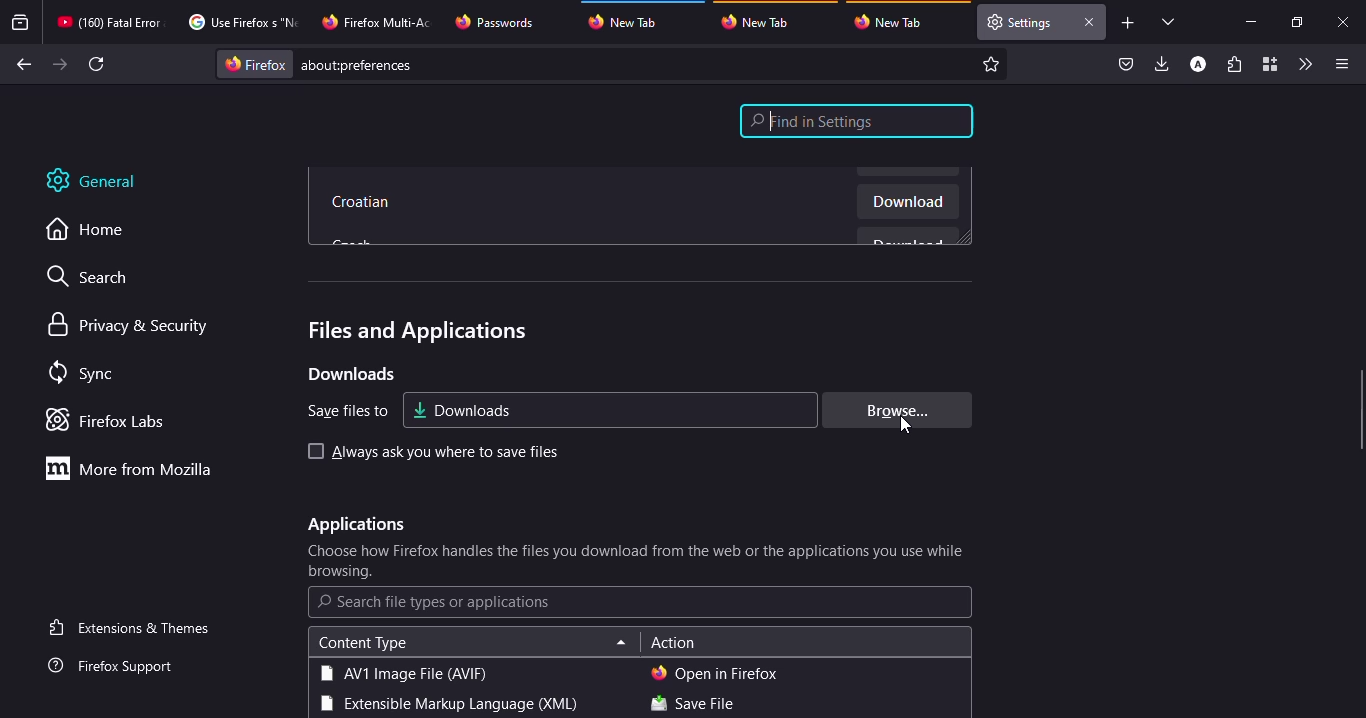  What do you see at coordinates (1088, 22) in the screenshot?
I see `close` at bounding box center [1088, 22].